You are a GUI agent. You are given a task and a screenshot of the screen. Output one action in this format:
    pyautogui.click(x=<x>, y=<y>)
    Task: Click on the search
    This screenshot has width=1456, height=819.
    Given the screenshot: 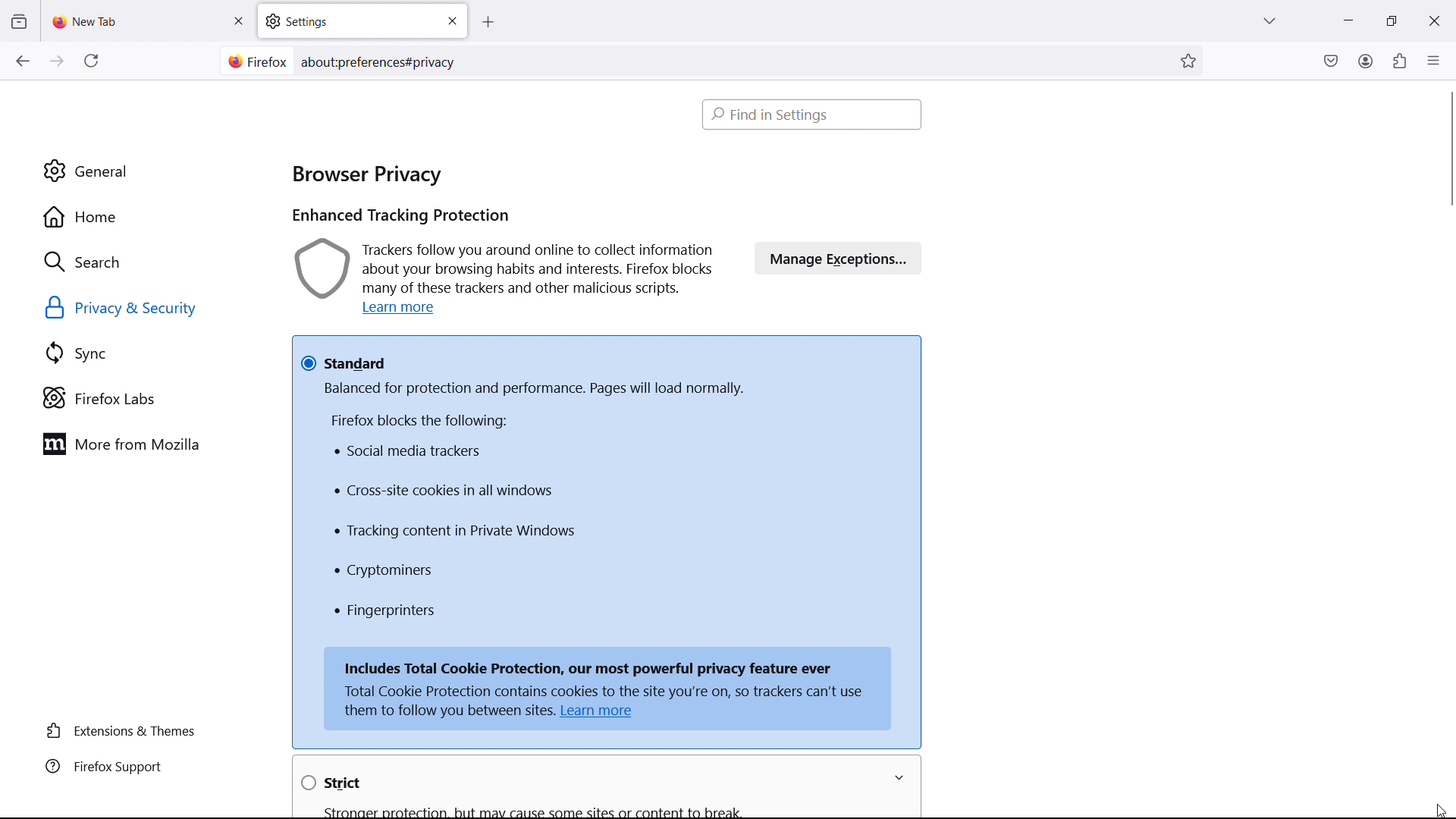 What is the action you would take?
    pyautogui.click(x=146, y=261)
    